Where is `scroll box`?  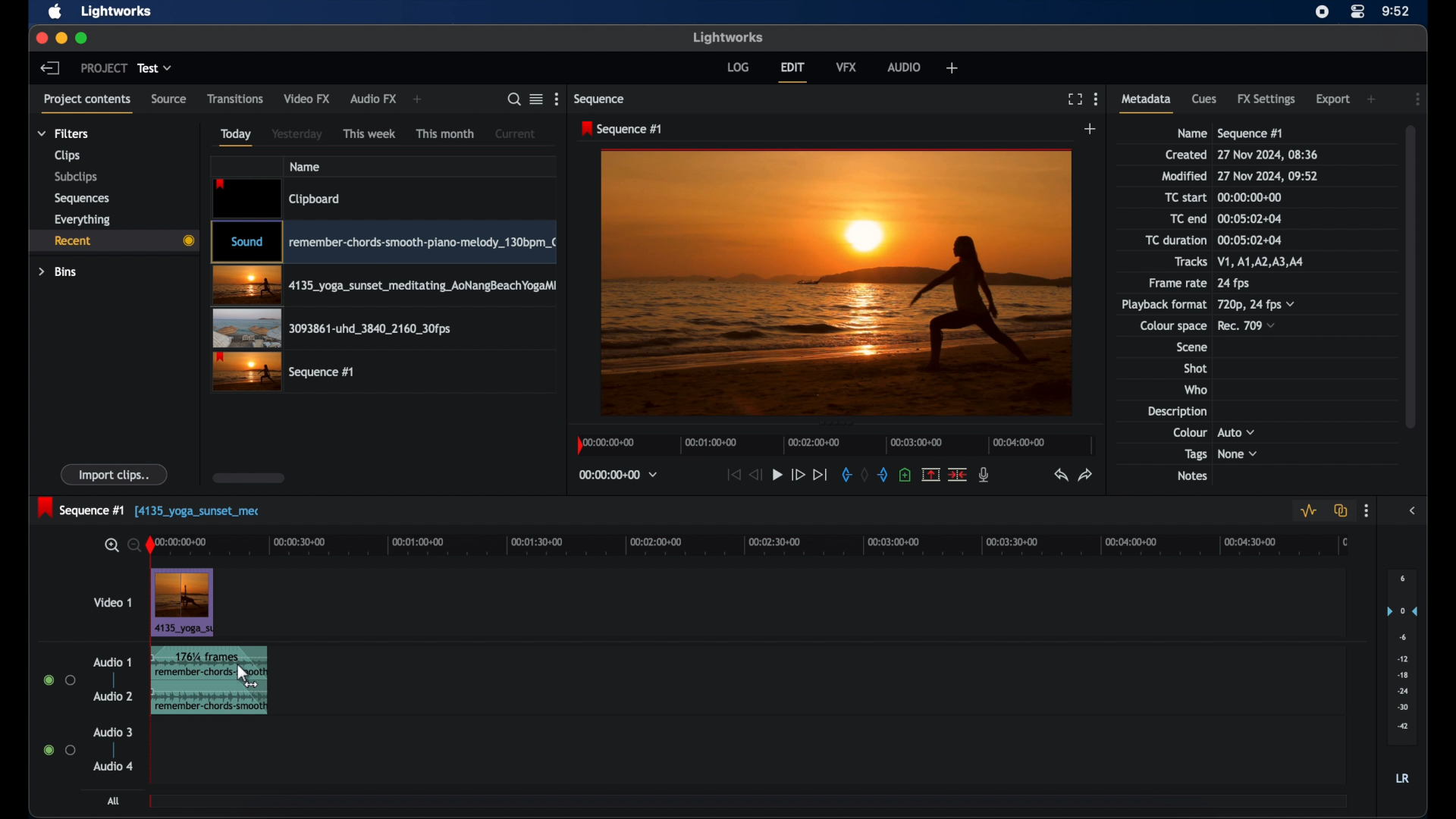
scroll box is located at coordinates (249, 478).